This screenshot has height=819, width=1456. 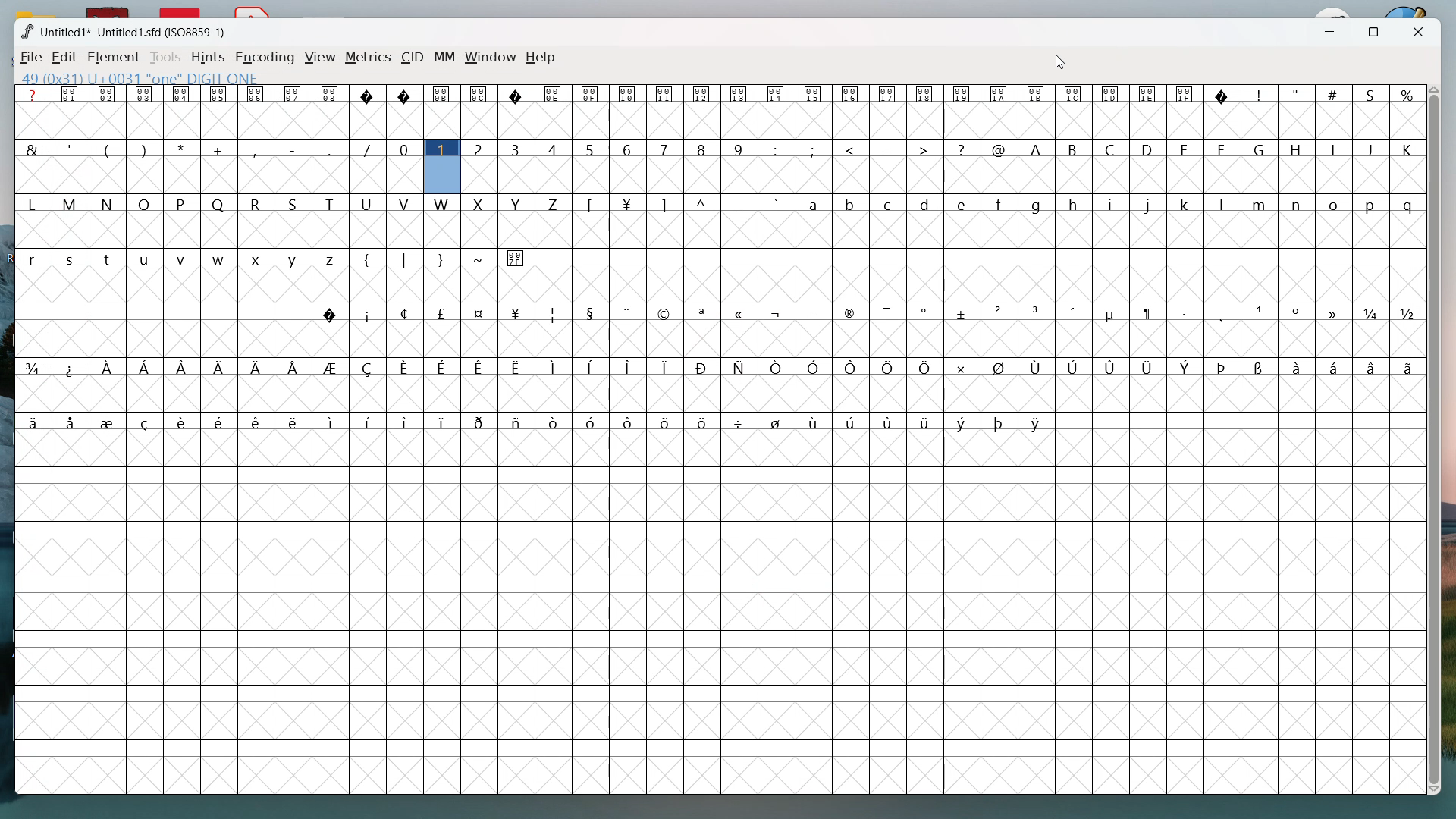 What do you see at coordinates (999, 93) in the screenshot?
I see `symbol` at bounding box center [999, 93].